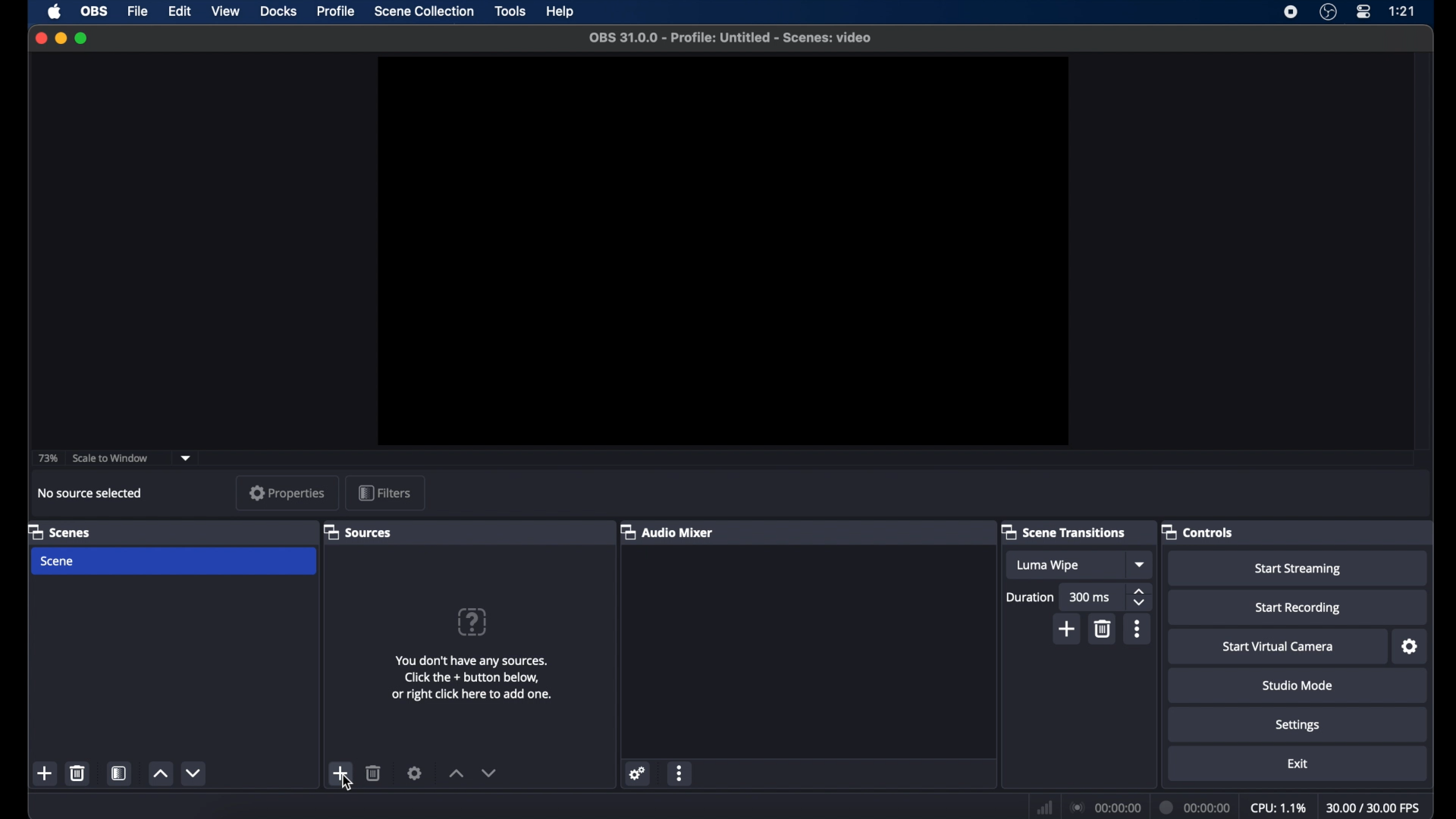 This screenshot has height=819, width=1456. What do you see at coordinates (385, 492) in the screenshot?
I see `filters` at bounding box center [385, 492].